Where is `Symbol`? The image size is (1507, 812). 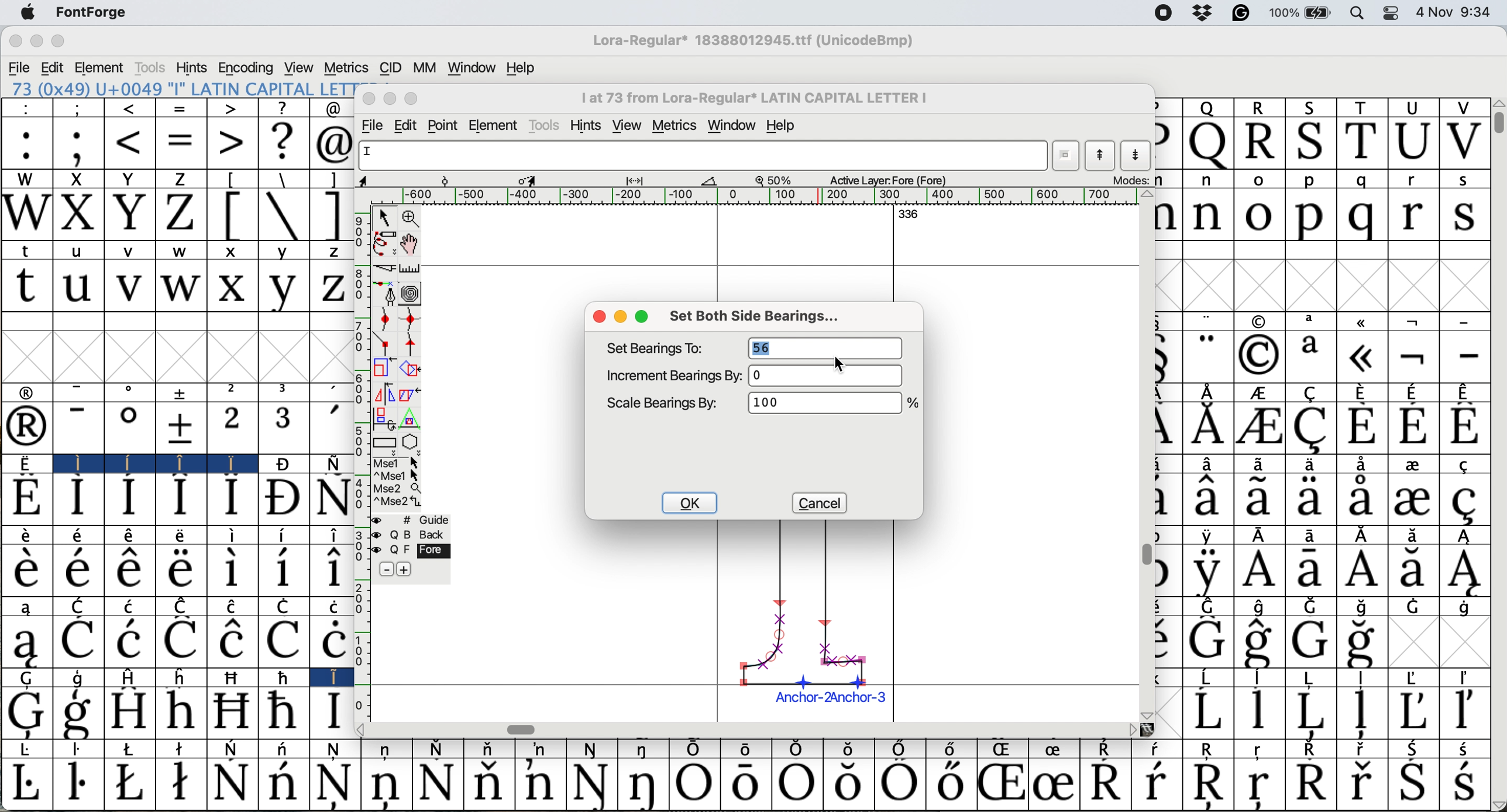
Symbol is located at coordinates (1361, 783).